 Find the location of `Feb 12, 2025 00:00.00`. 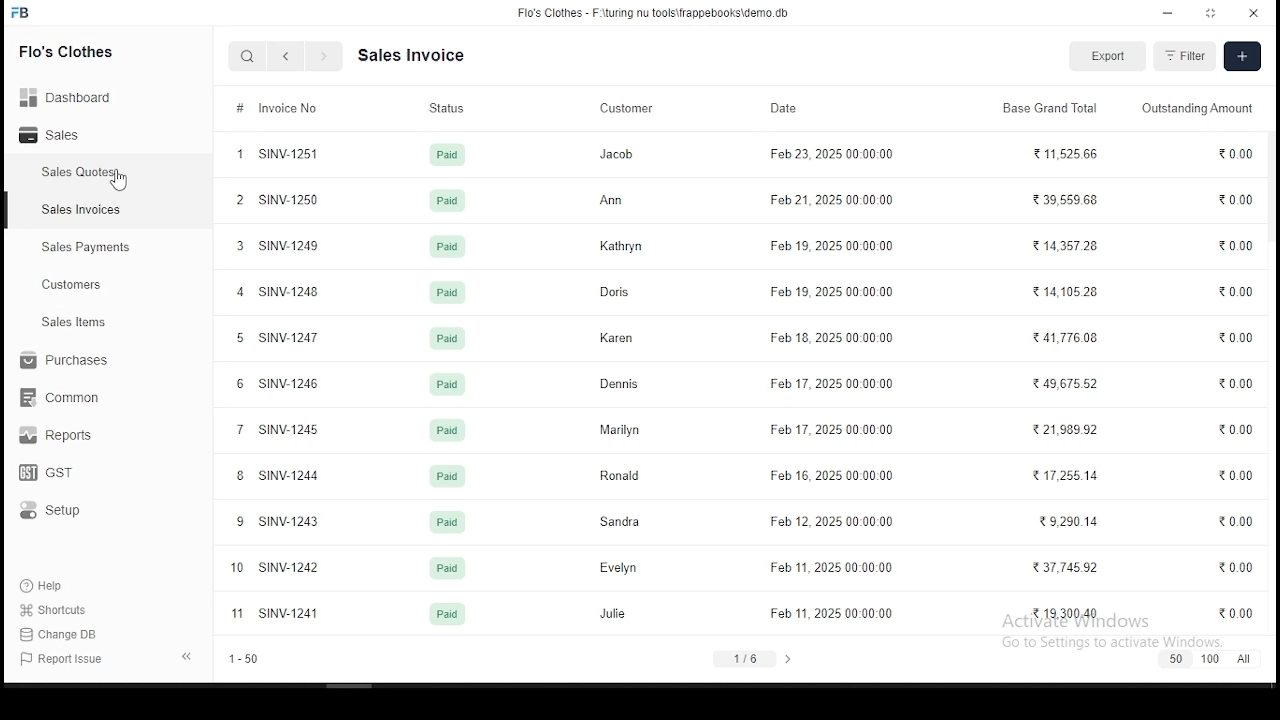

Feb 12, 2025 00:00.00 is located at coordinates (838, 521).